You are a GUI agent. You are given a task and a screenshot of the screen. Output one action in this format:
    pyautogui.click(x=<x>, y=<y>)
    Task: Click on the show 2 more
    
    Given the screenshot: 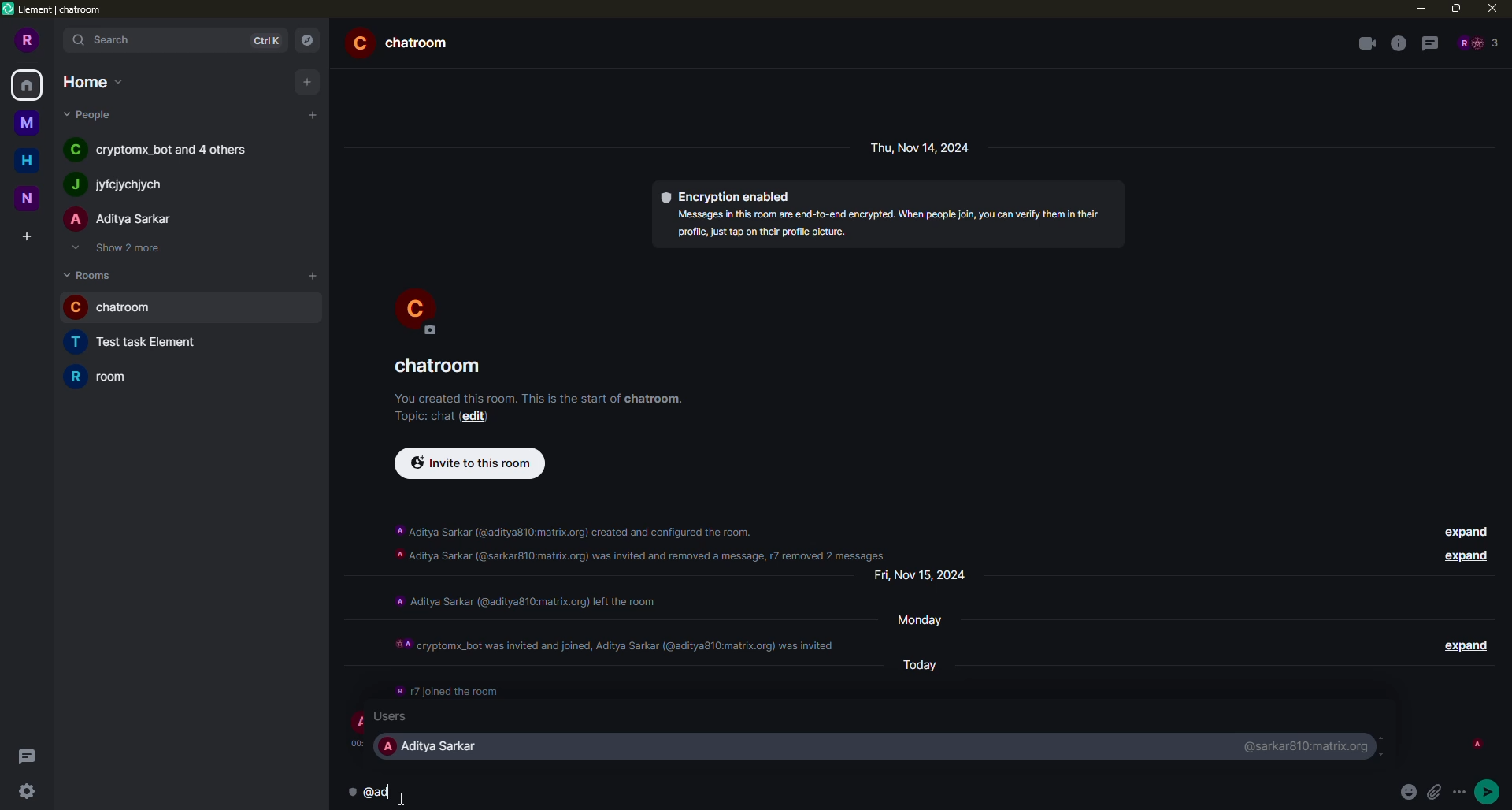 What is the action you would take?
    pyautogui.click(x=123, y=249)
    